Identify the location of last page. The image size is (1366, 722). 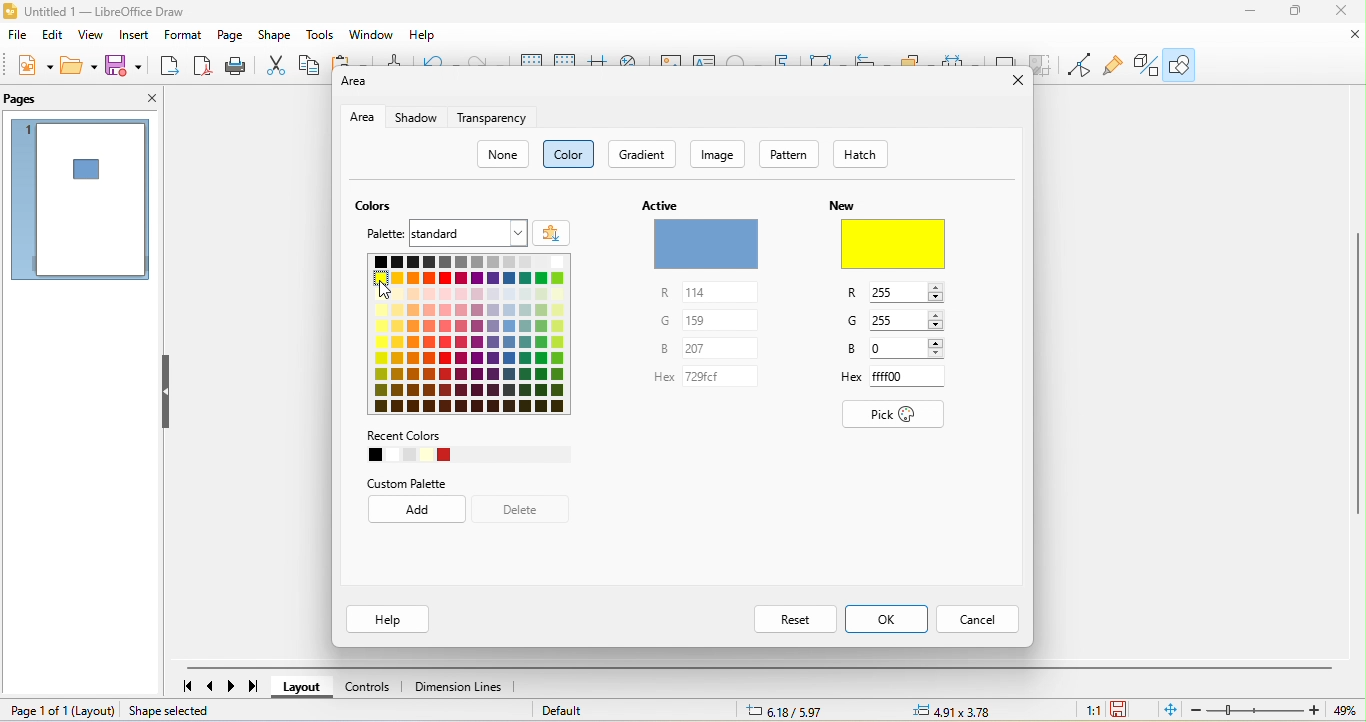
(261, 686).